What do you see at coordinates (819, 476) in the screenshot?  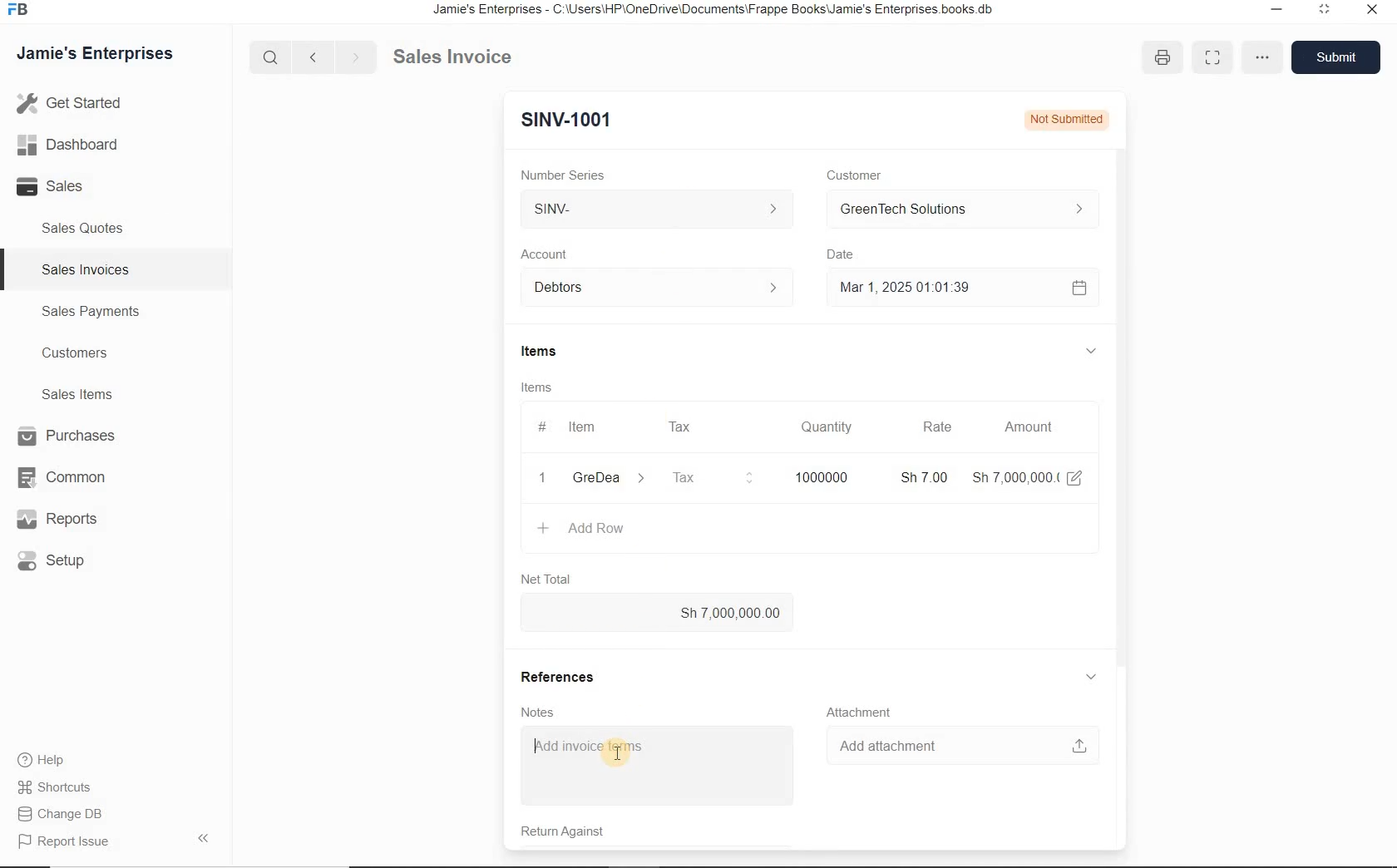 I see `1000000` at bounding box center [819, 476].